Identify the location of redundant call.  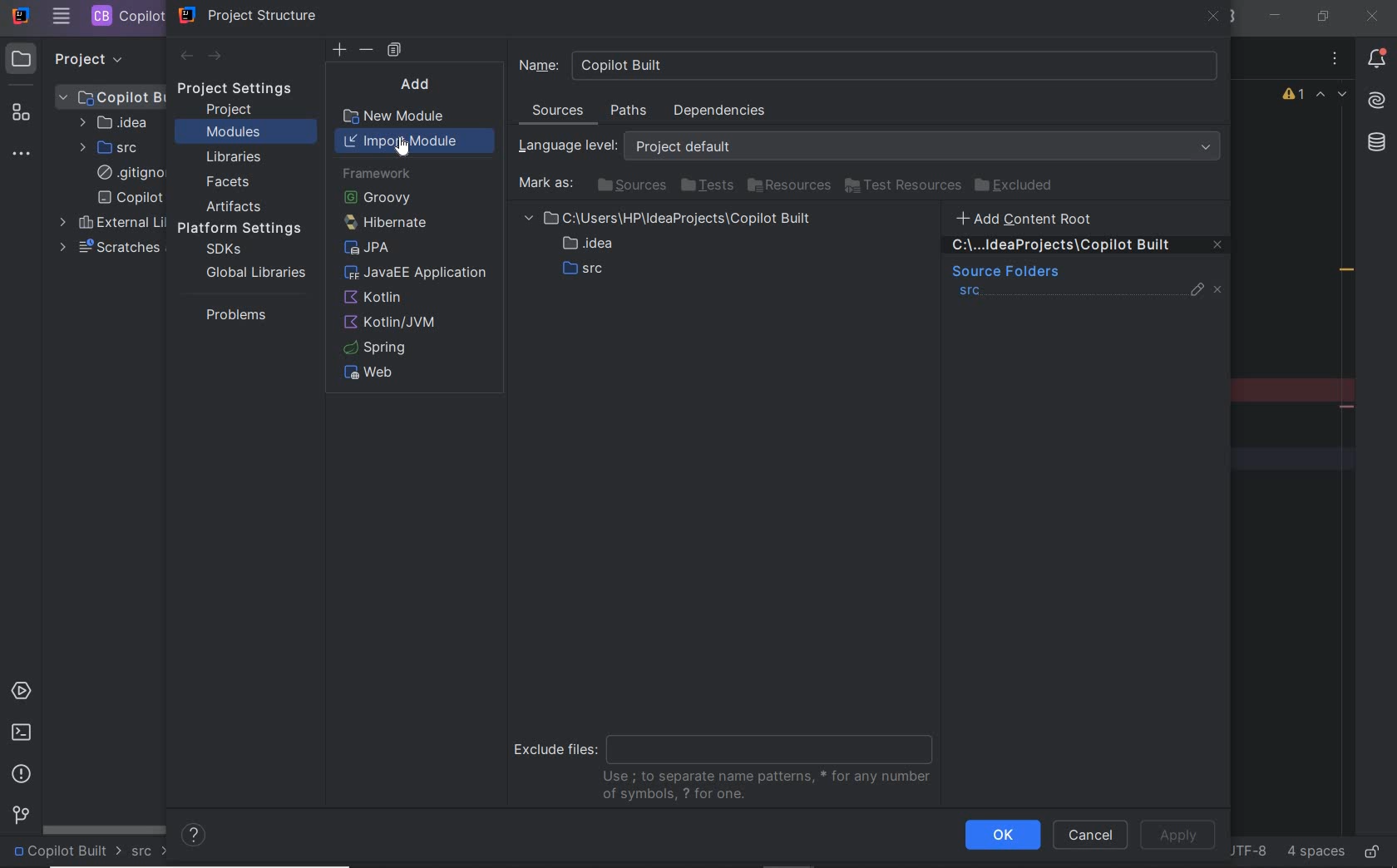
(1347, 272).